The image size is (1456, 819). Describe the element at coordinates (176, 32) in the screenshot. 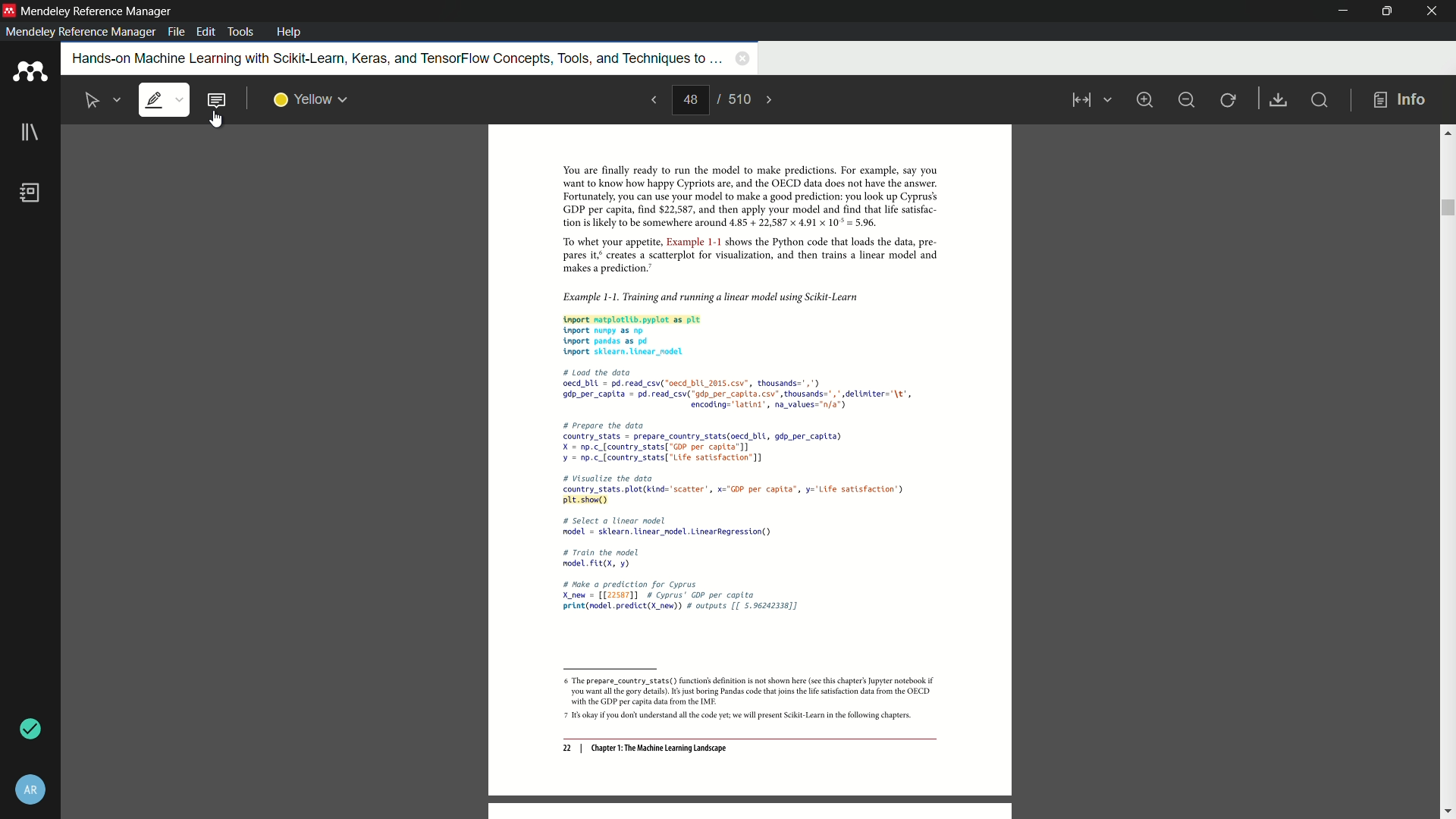

I see `file menu` at that location.